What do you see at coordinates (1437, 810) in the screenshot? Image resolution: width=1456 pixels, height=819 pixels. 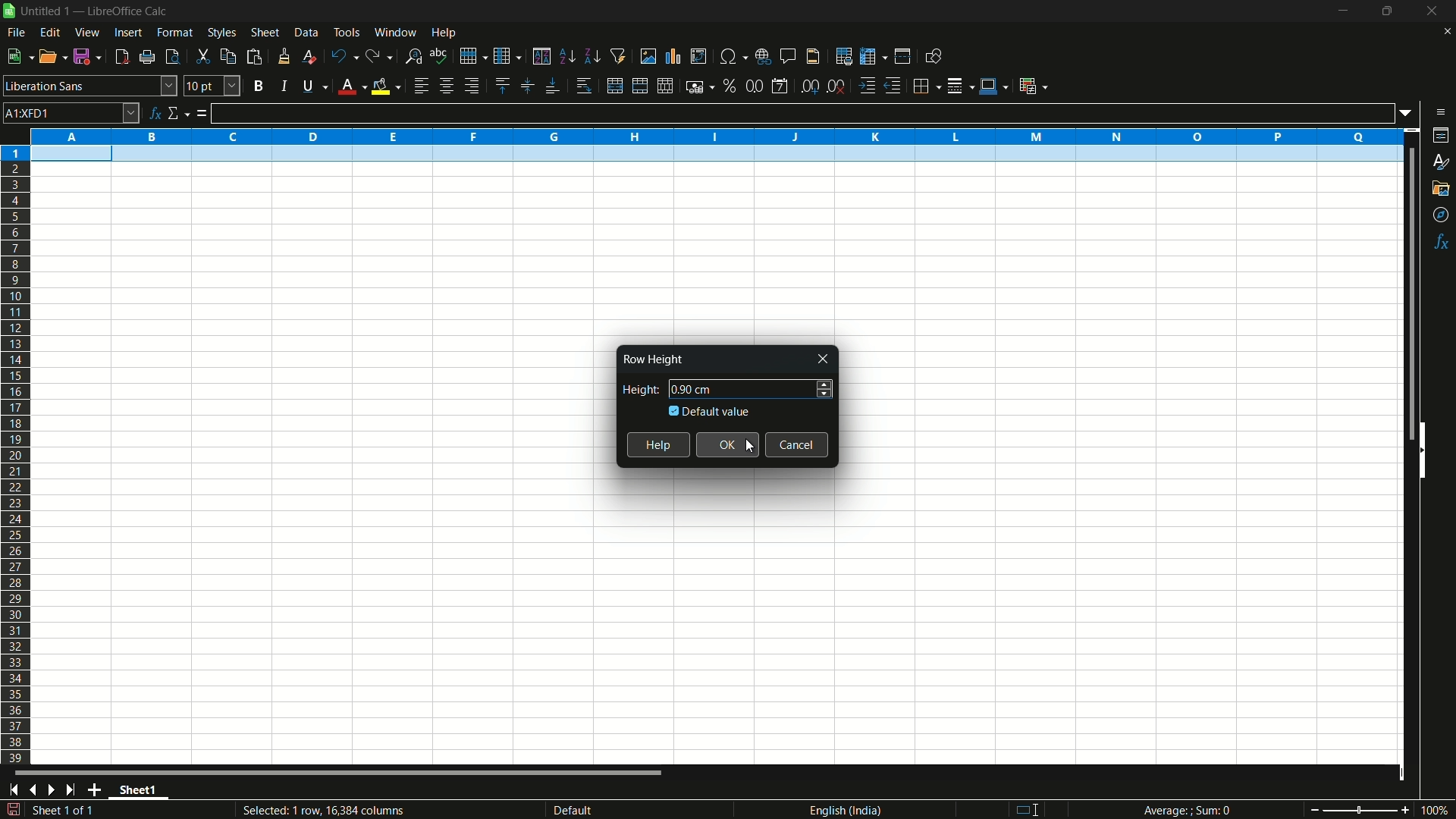 I see `current zoom 100%` at bounding box center [1437, 810].